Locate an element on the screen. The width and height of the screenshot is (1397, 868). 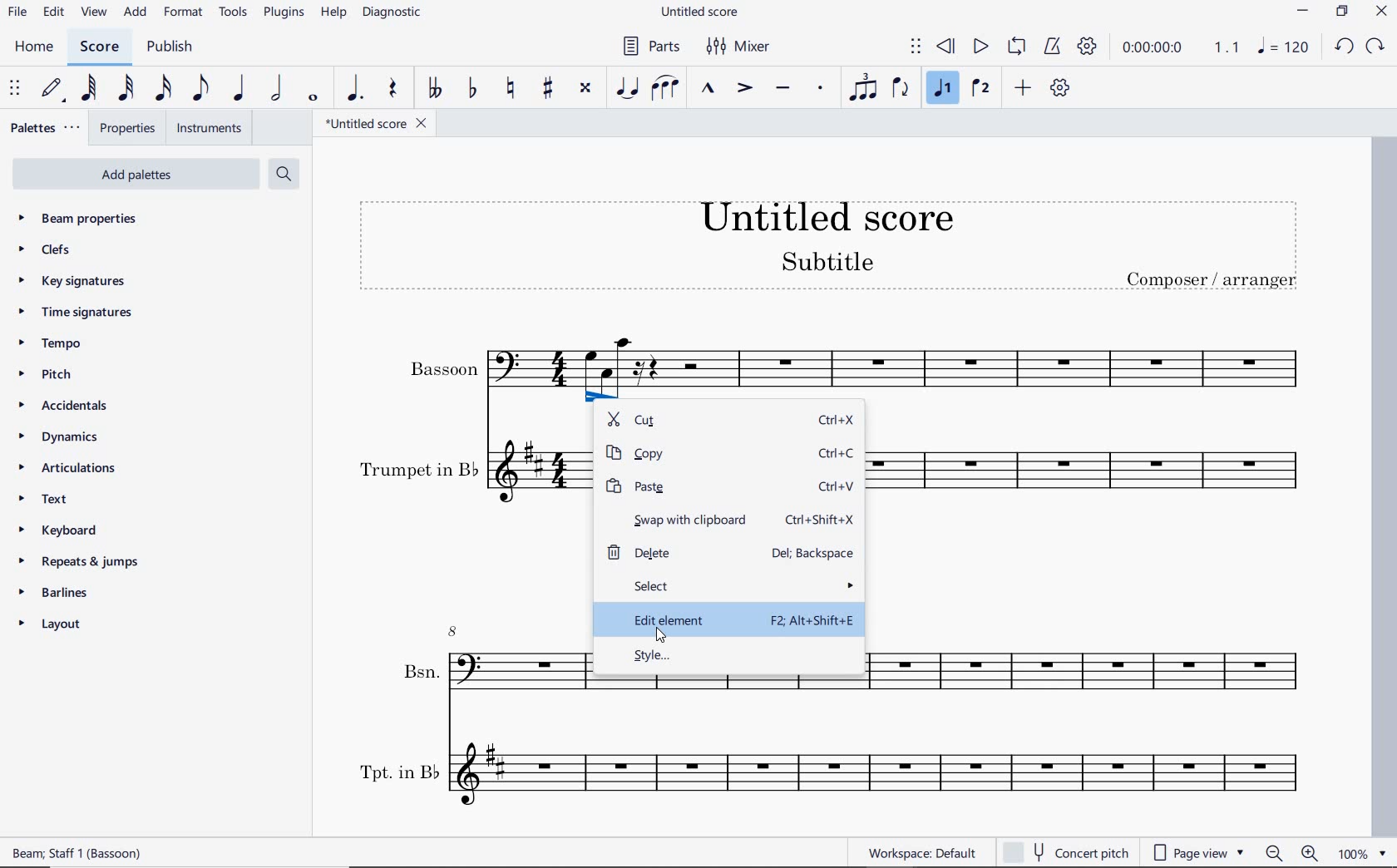
home is located at coordinates (31, 47).